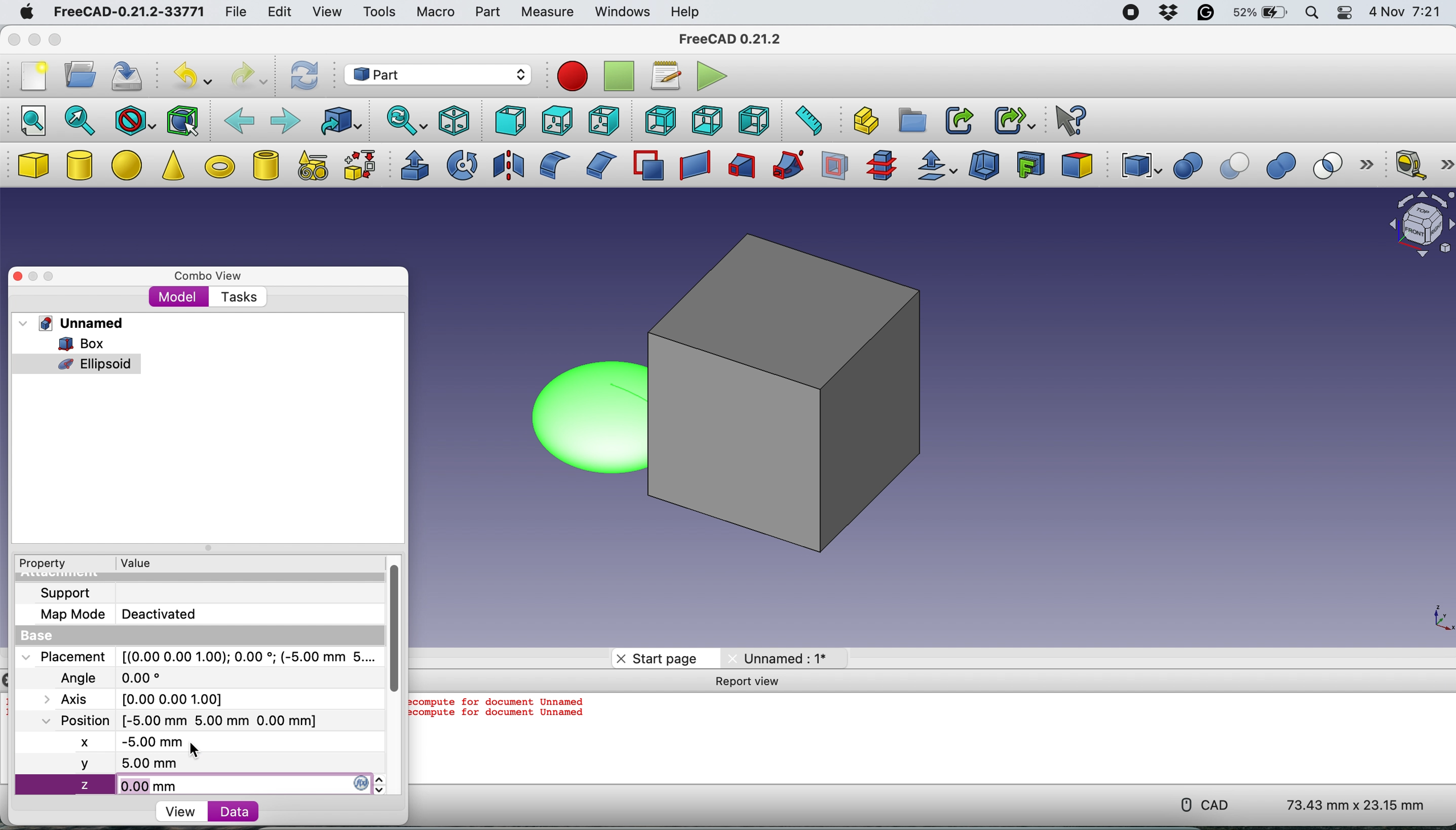 The width and height of the screenshot is (1456, 830). Describe the element at coordinates (1031, 164) in the screenshot. I see `create projection on surface` at that location.